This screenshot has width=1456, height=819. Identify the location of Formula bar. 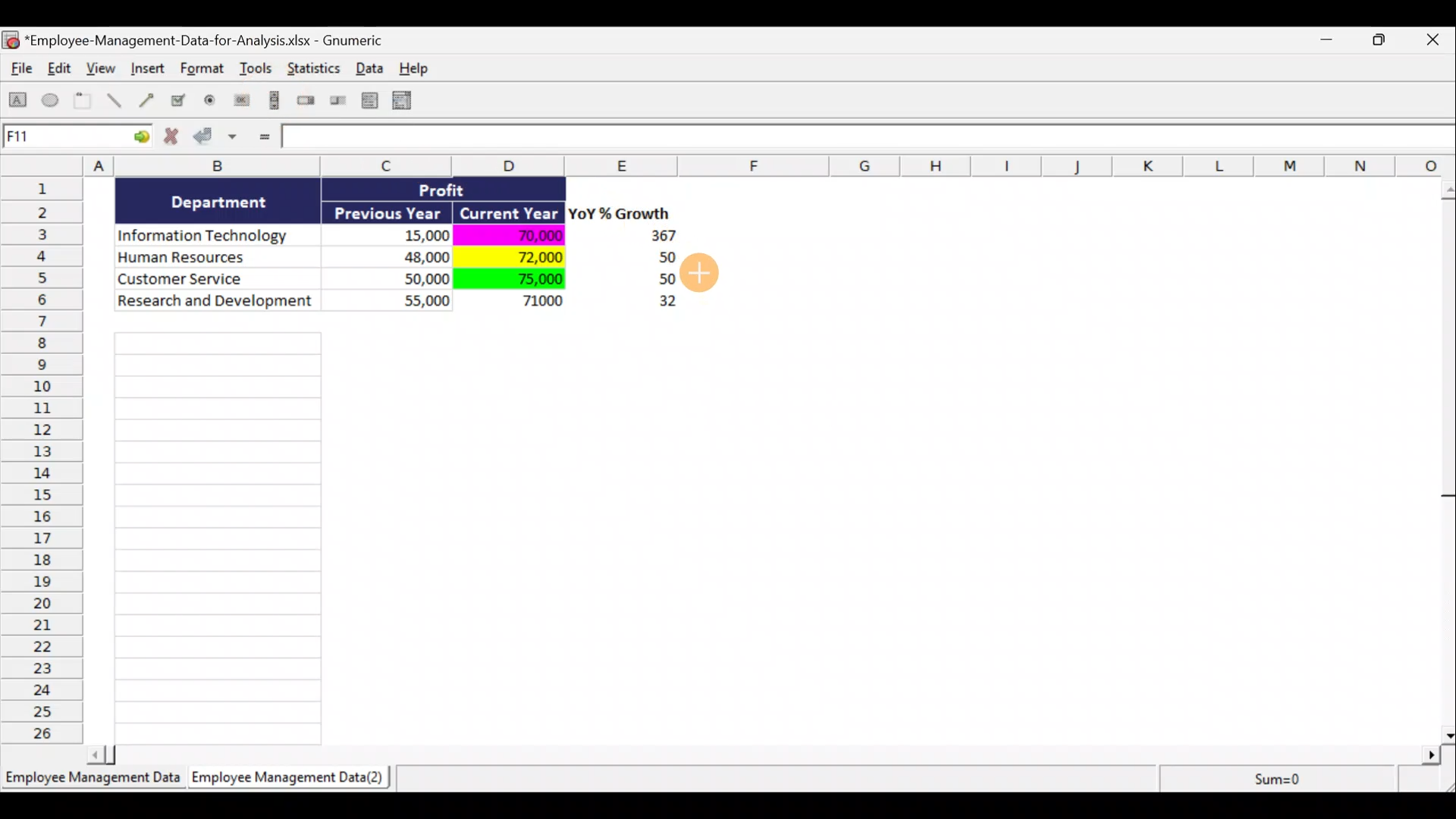
(870, 140).